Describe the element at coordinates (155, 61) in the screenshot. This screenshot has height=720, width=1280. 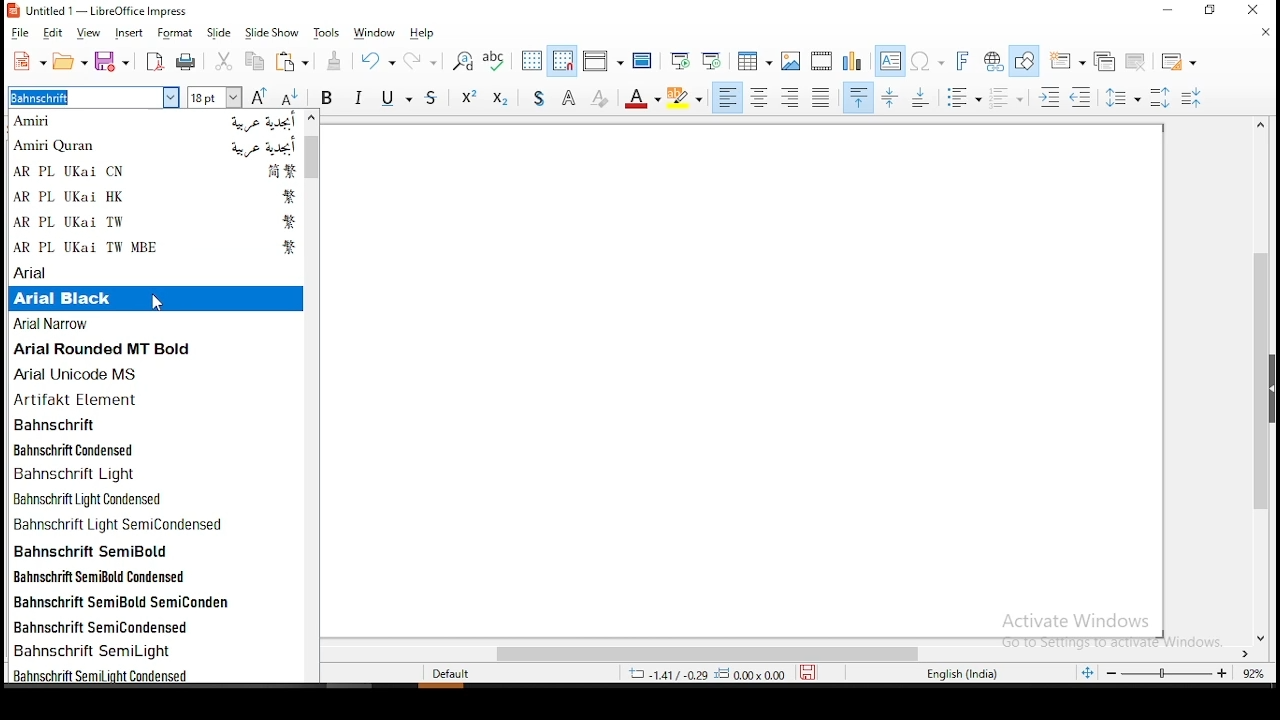
I see `export as pdf` at that location.